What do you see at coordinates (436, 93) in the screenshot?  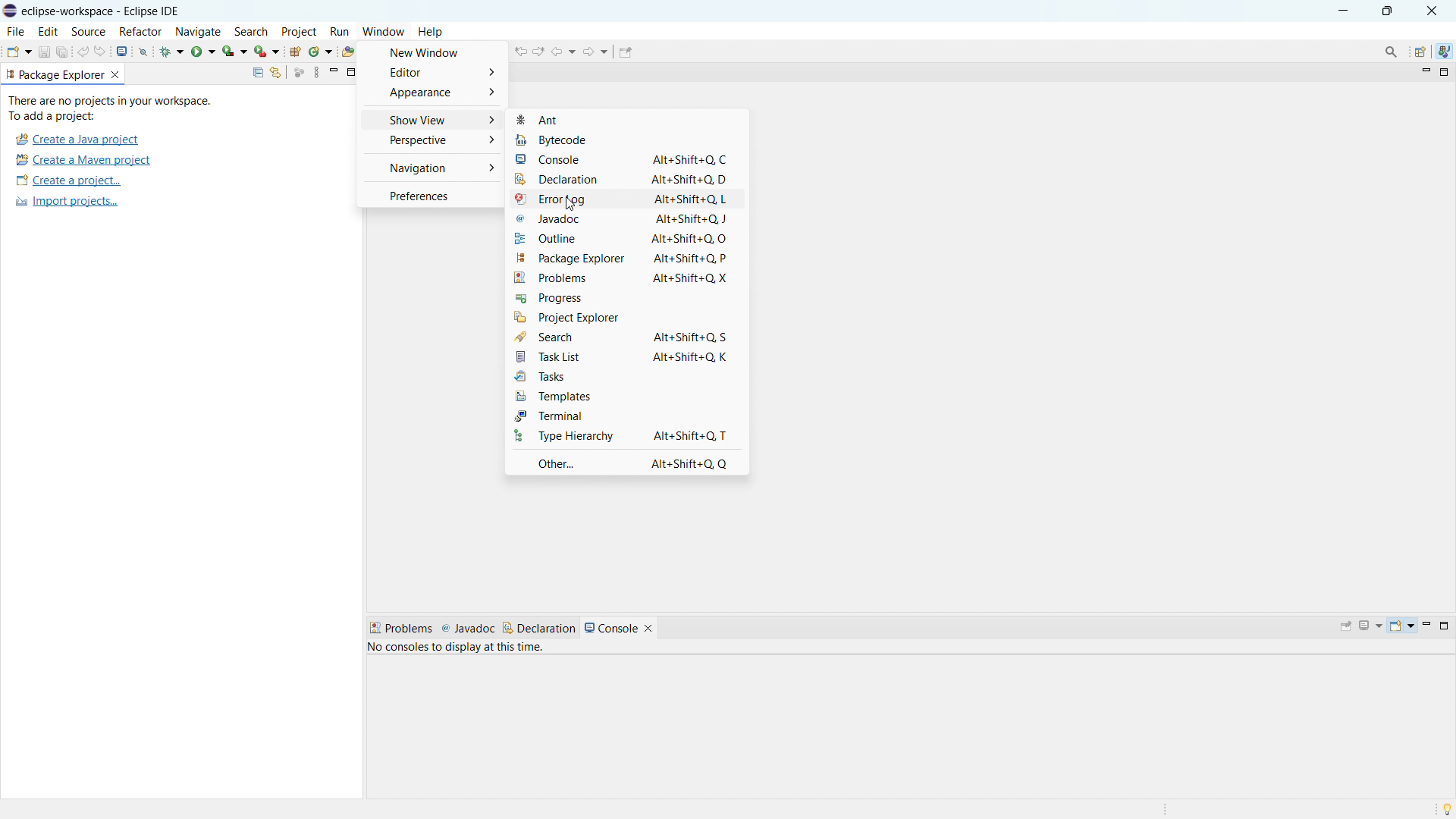 I see `Appearance` at bounding box center [436, 93].